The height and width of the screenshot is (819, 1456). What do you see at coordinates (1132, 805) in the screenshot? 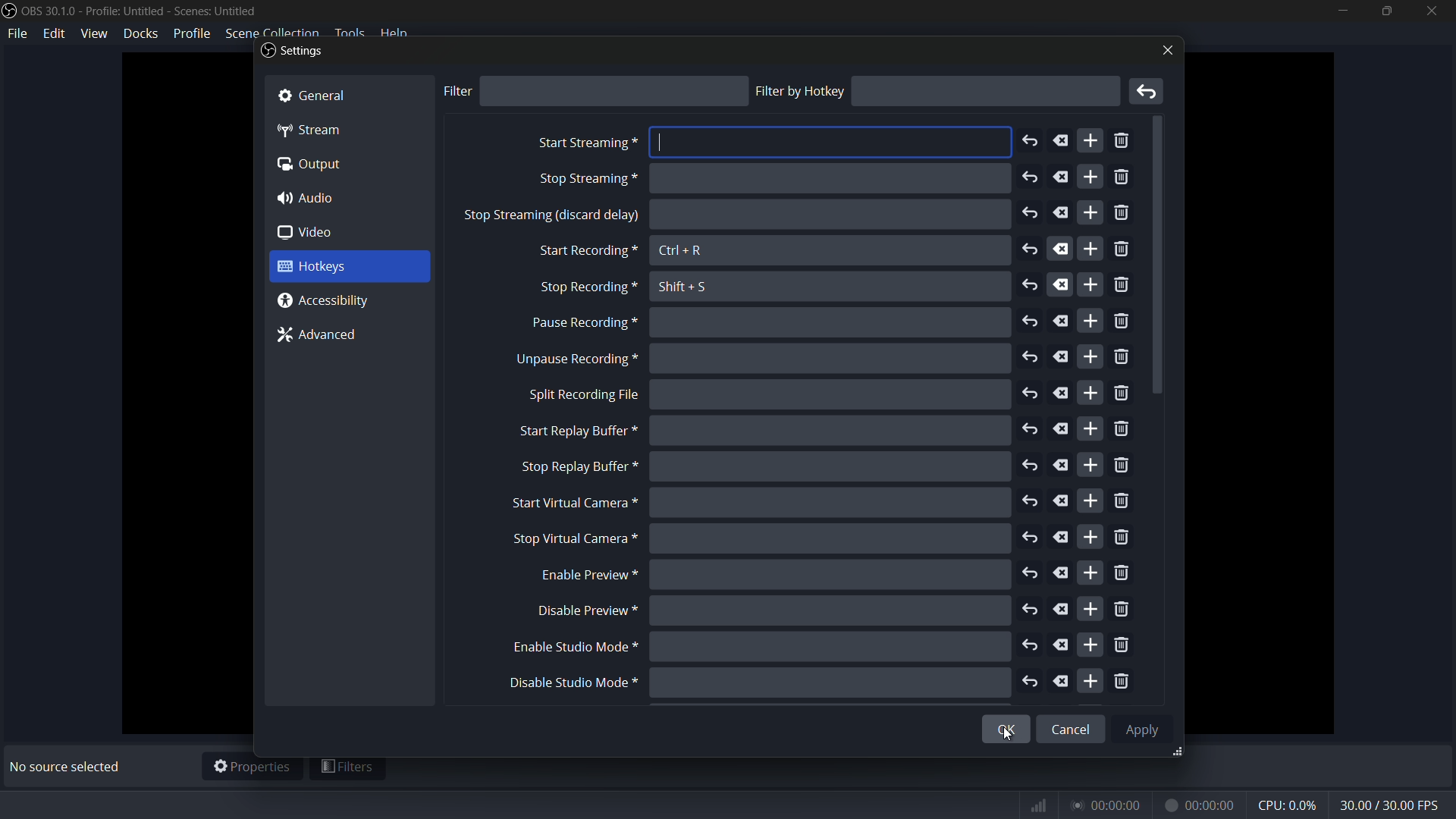
I see `timer` at bounding box center [1132, 805].